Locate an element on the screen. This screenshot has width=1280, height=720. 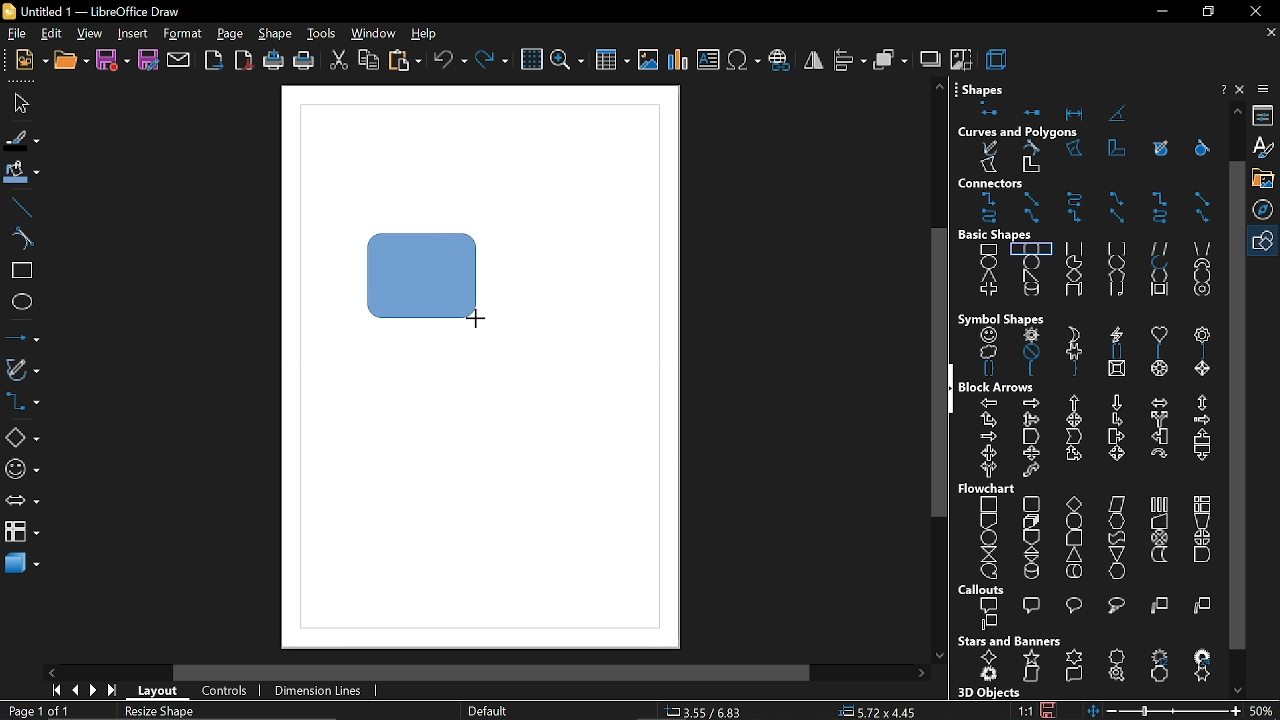
callouts is located at coordinates (985, 590).